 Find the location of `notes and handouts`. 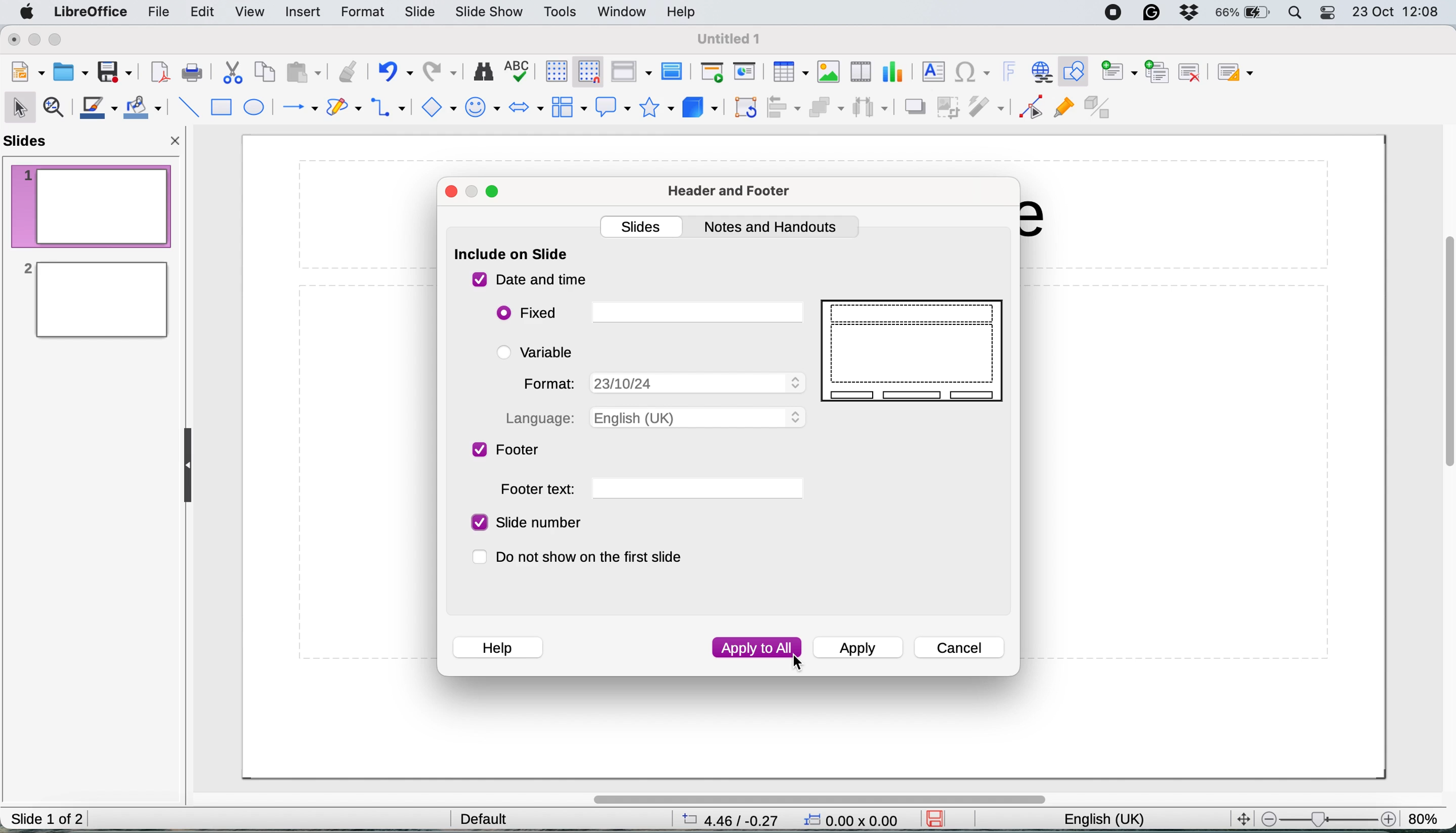

notes and handouts is located at coordinates (775, 227).